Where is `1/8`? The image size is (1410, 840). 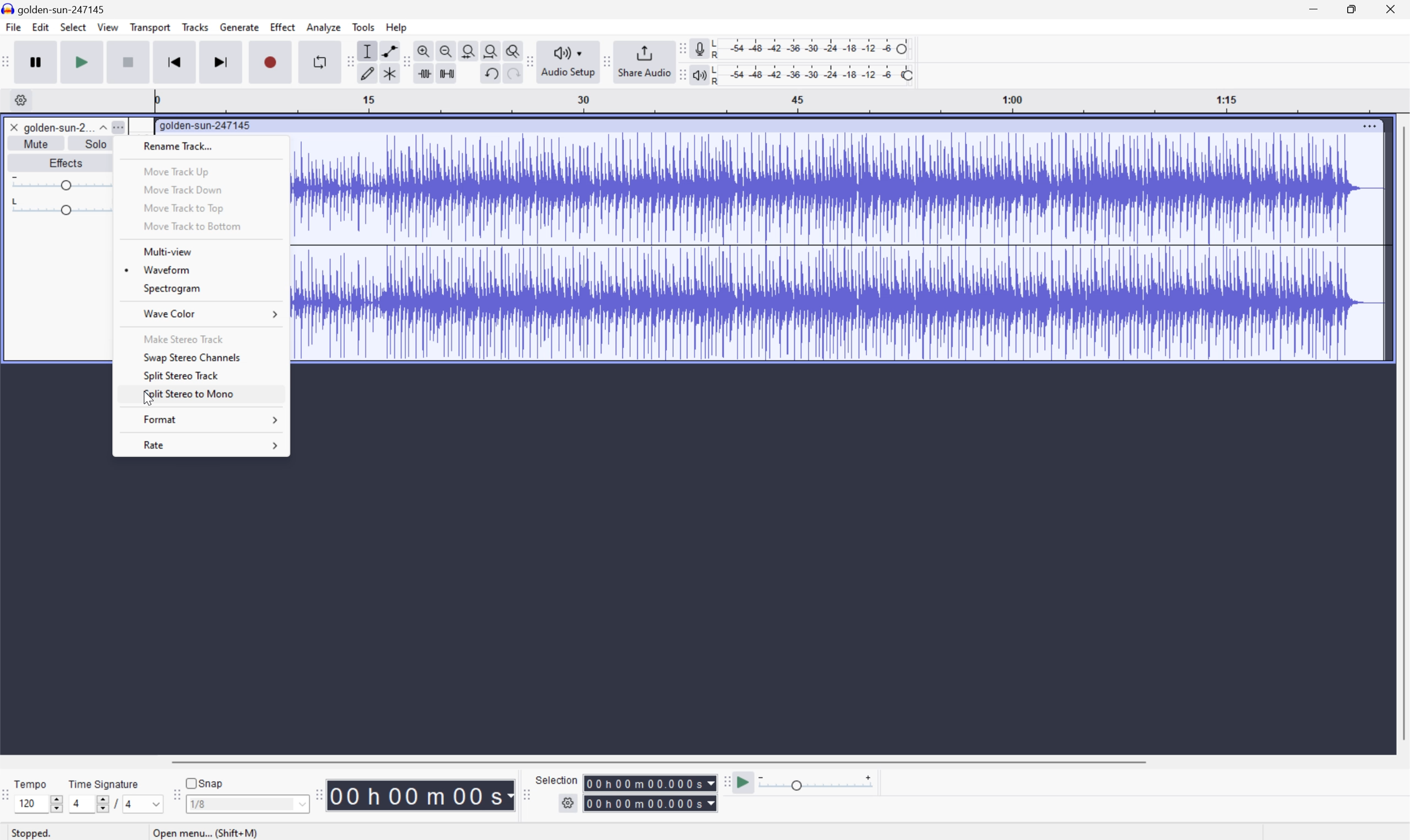
1/8 is located at coordinates (247, 803).